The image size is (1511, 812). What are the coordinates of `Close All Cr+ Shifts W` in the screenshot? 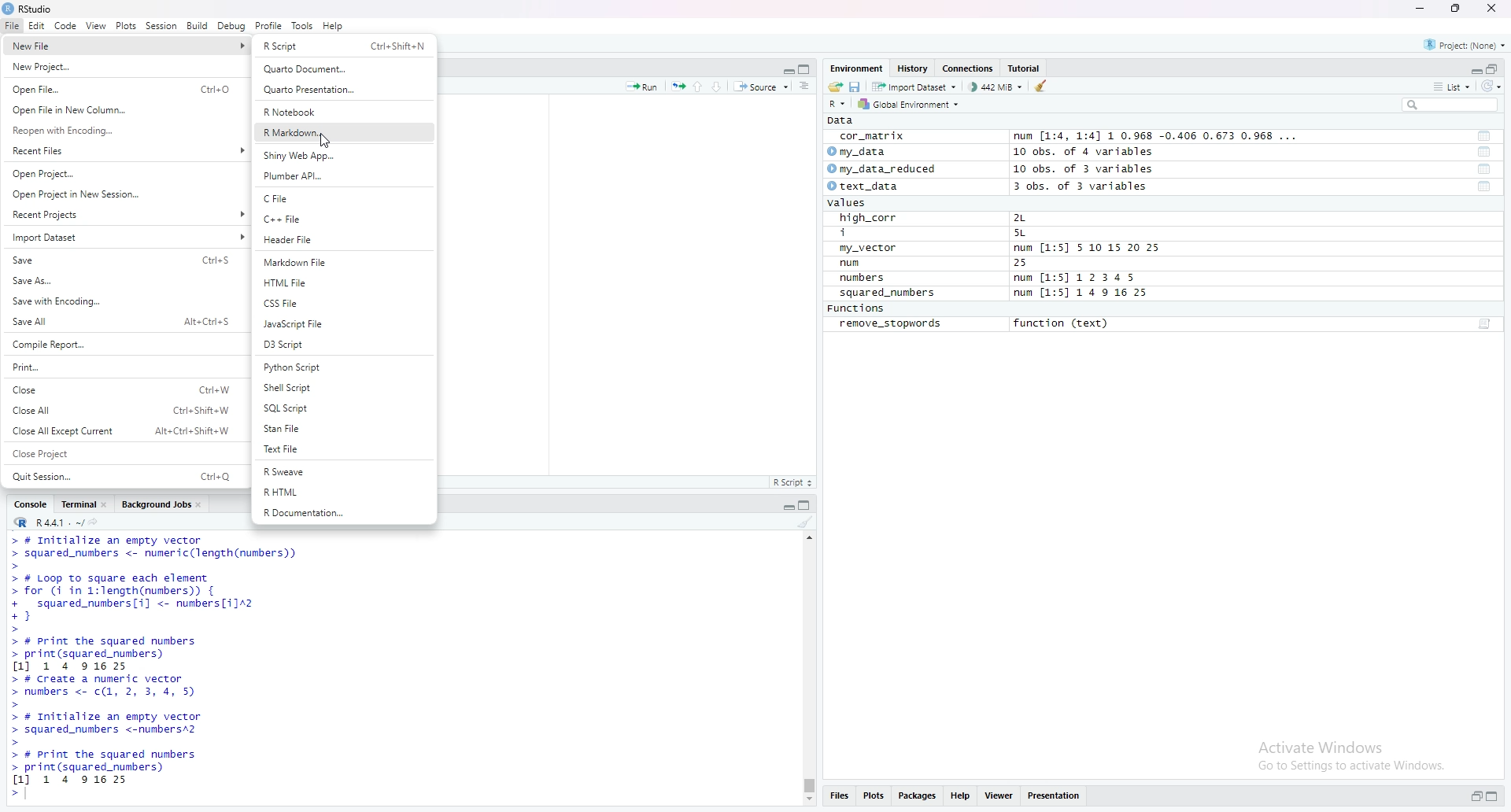 It's located at (123, 409).